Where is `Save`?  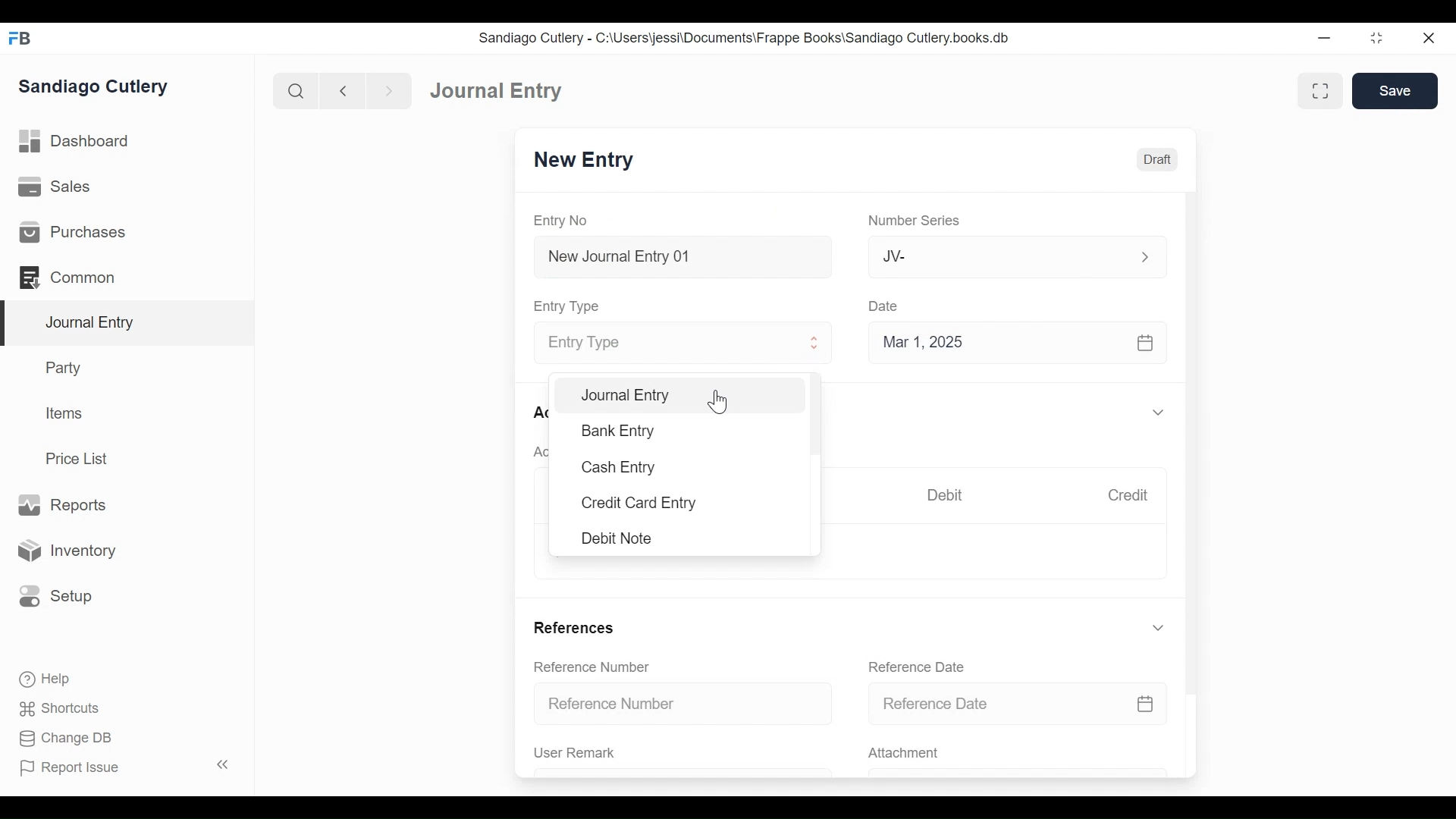
Save is located at coordinates (1395, 90).